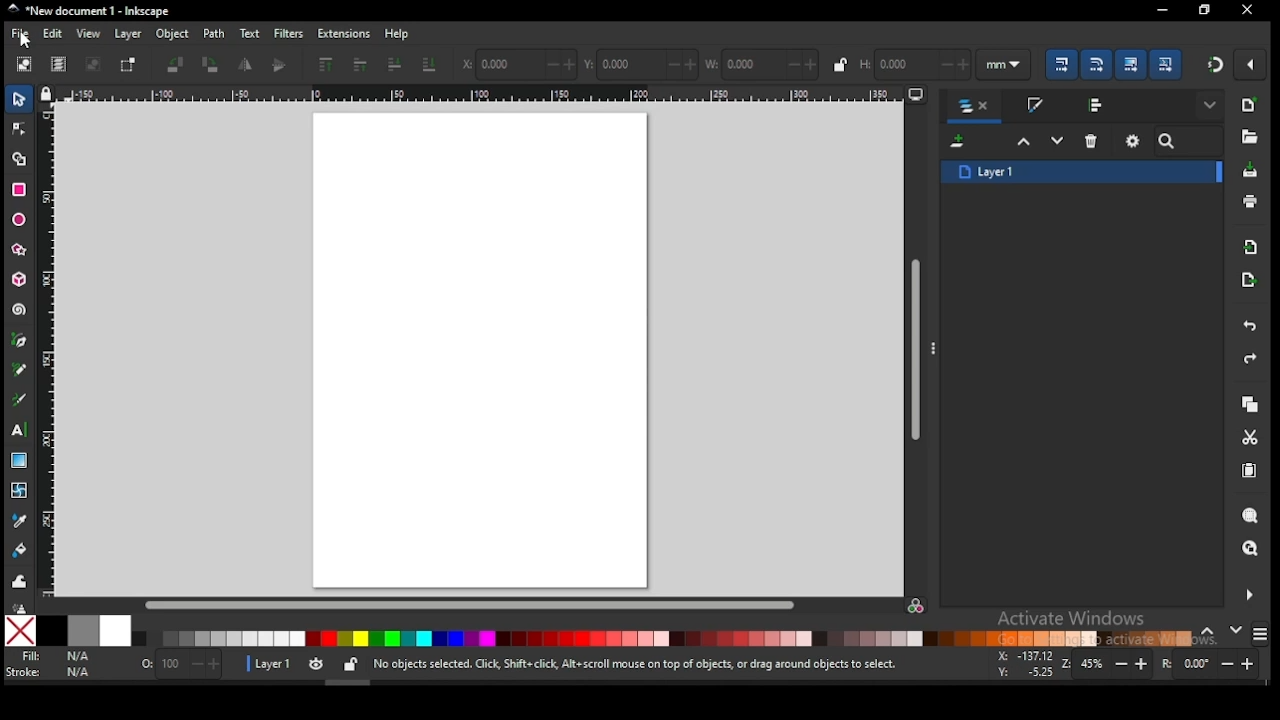 The height and width of the screenshot is (720, 1280). Describe the element at coordinates (90, 65) in the screenshot. I see `deselect` at that location.